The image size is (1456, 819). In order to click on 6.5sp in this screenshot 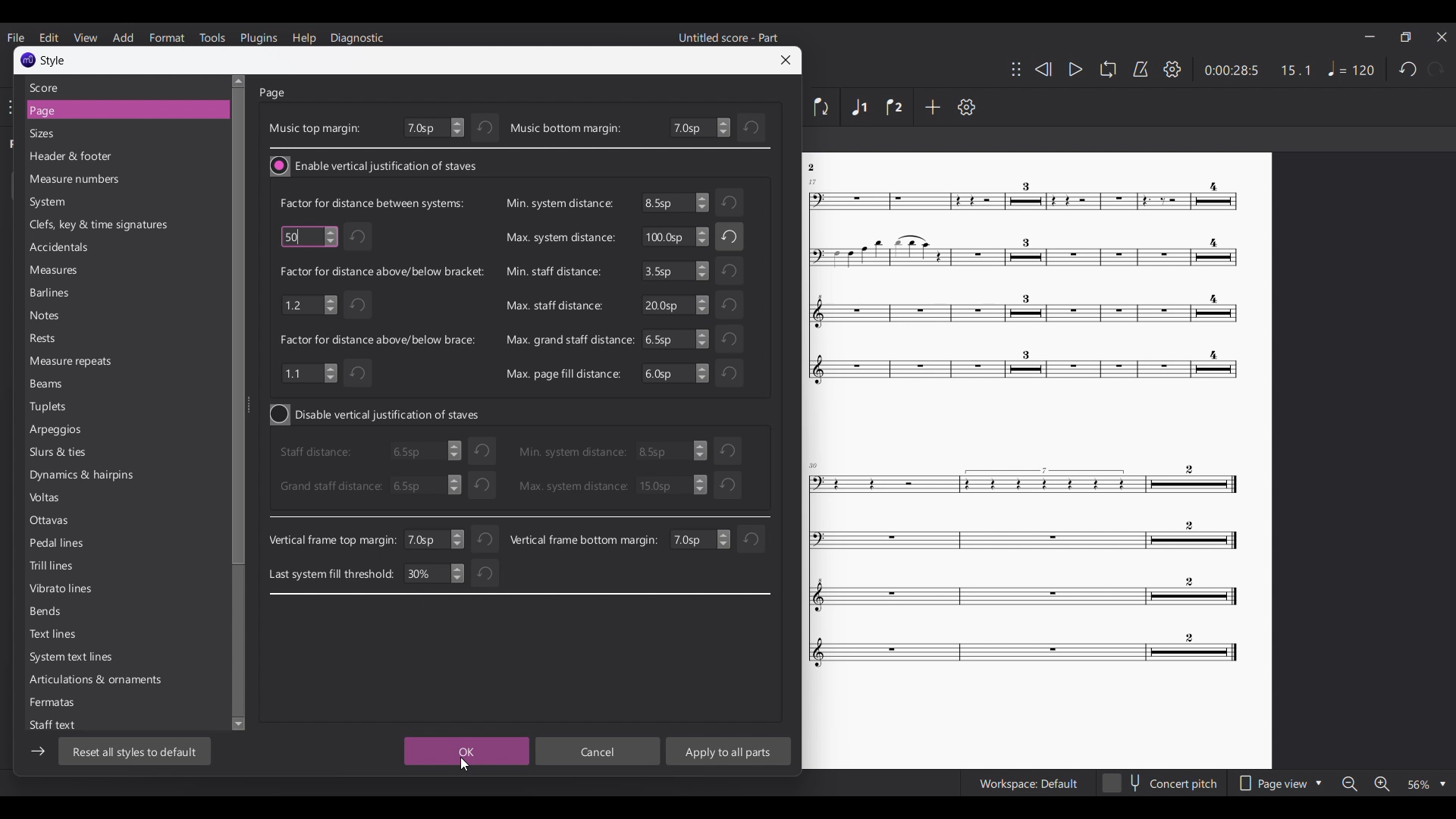, I will do `click(423, 485)`.